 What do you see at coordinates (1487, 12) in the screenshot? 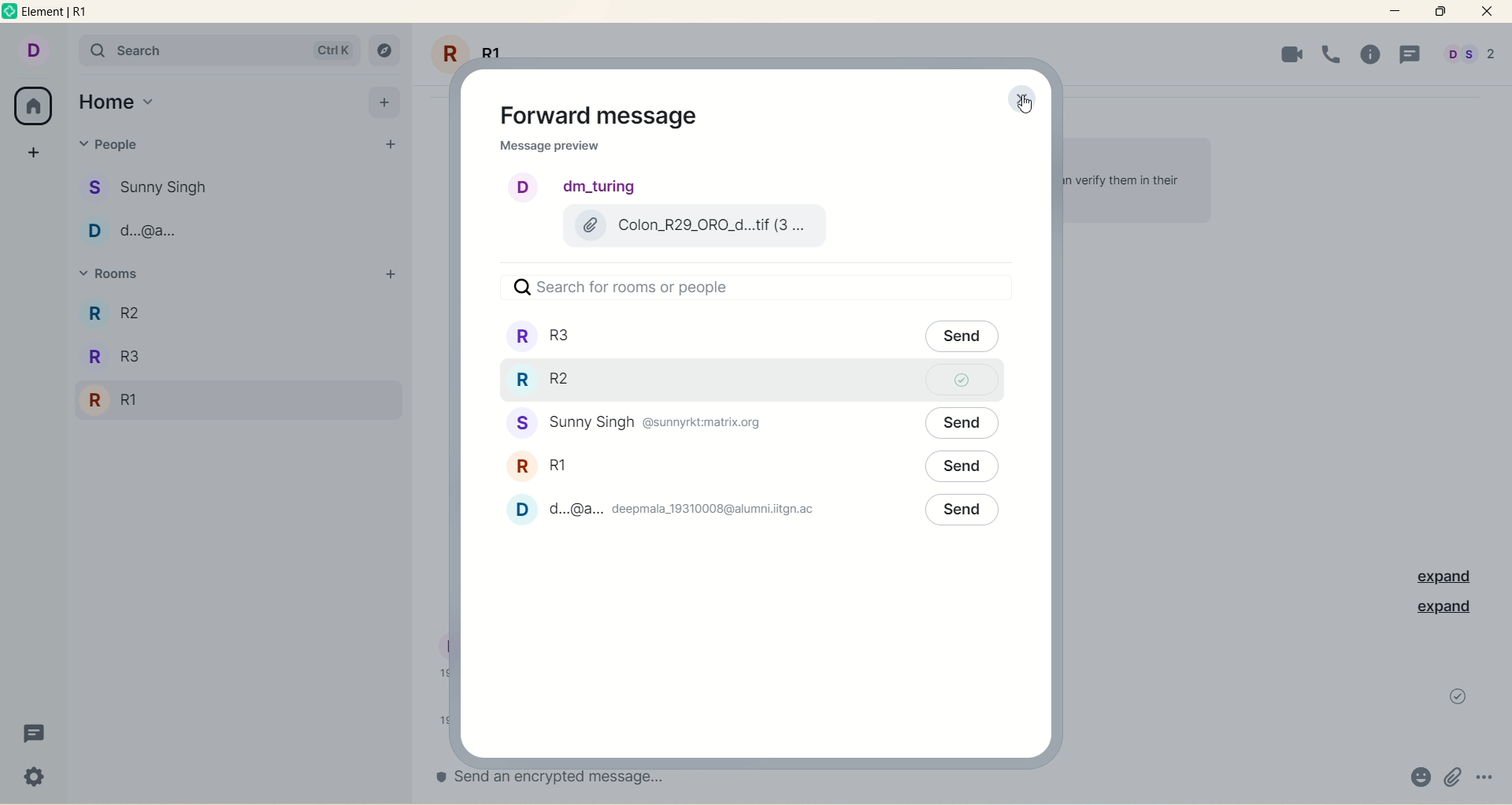
I see `close` at bounding box center [1487, 12].